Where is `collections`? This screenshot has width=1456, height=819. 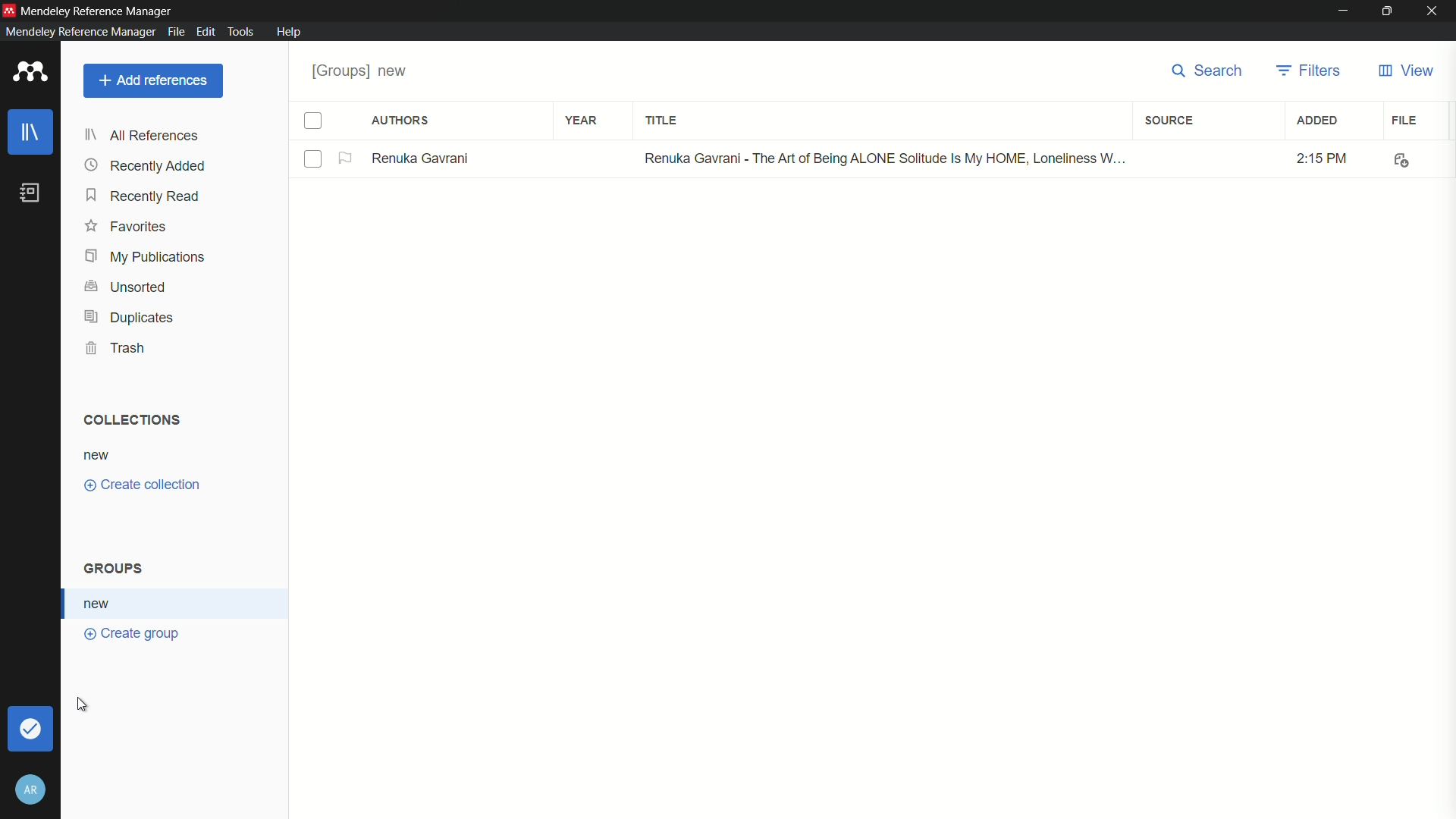
collections is located at coordinates (133, 421).